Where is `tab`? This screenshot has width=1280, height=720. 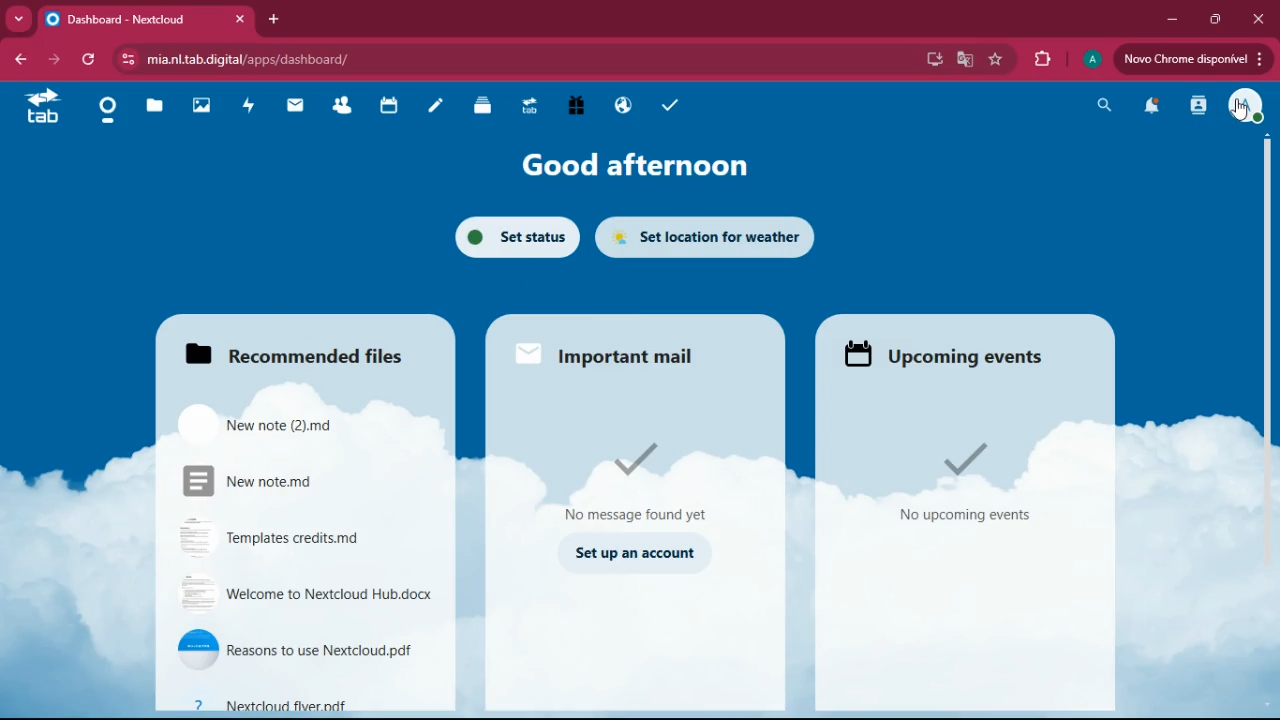 tab is located at coordinates (42, 110).